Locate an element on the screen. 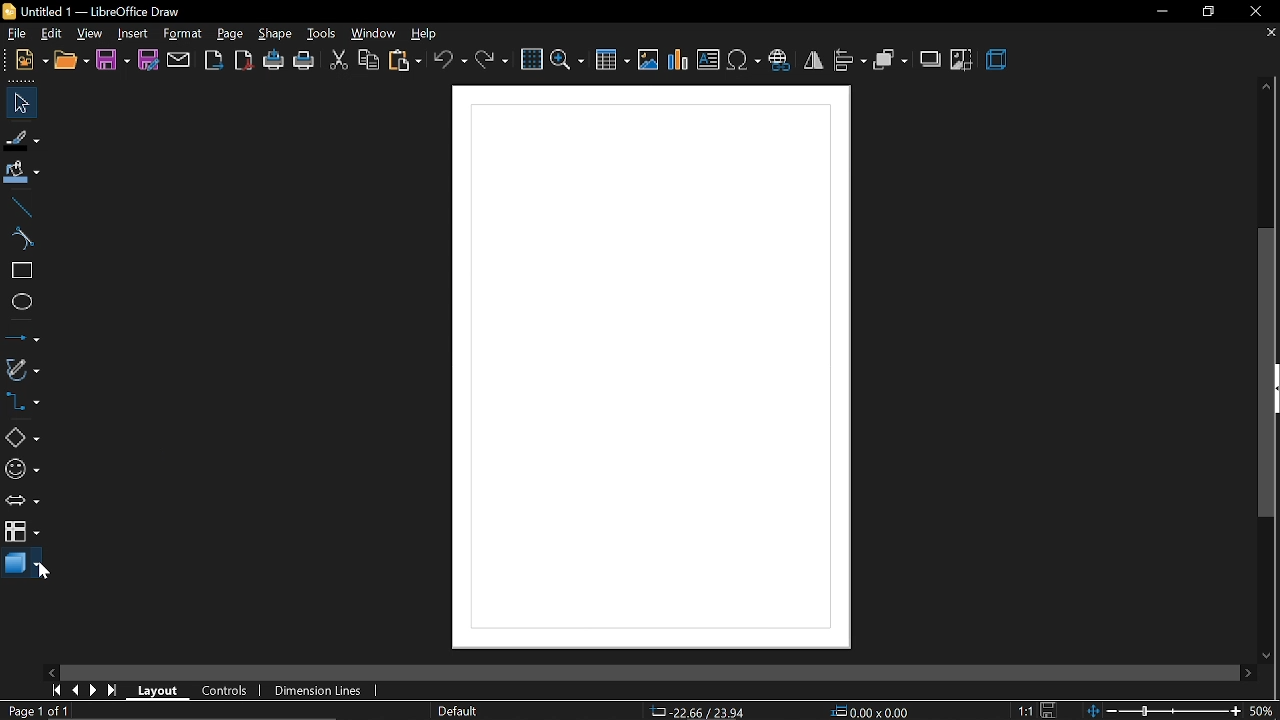 This screenshot has height=720, width=1280. page style is located at coordinates (458, 711).